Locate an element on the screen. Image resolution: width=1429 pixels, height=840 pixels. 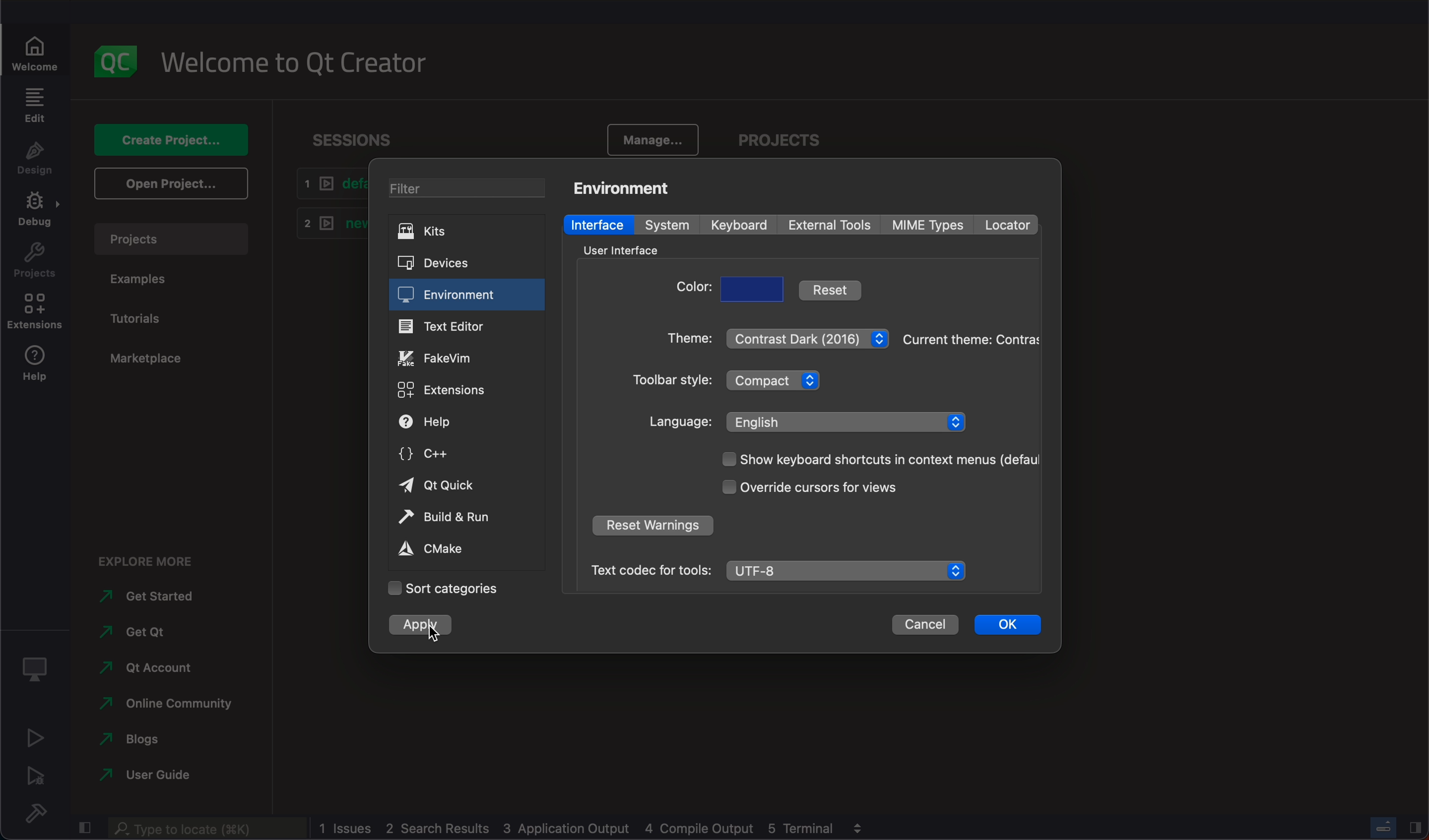
help is located at coordinates (36, 366).